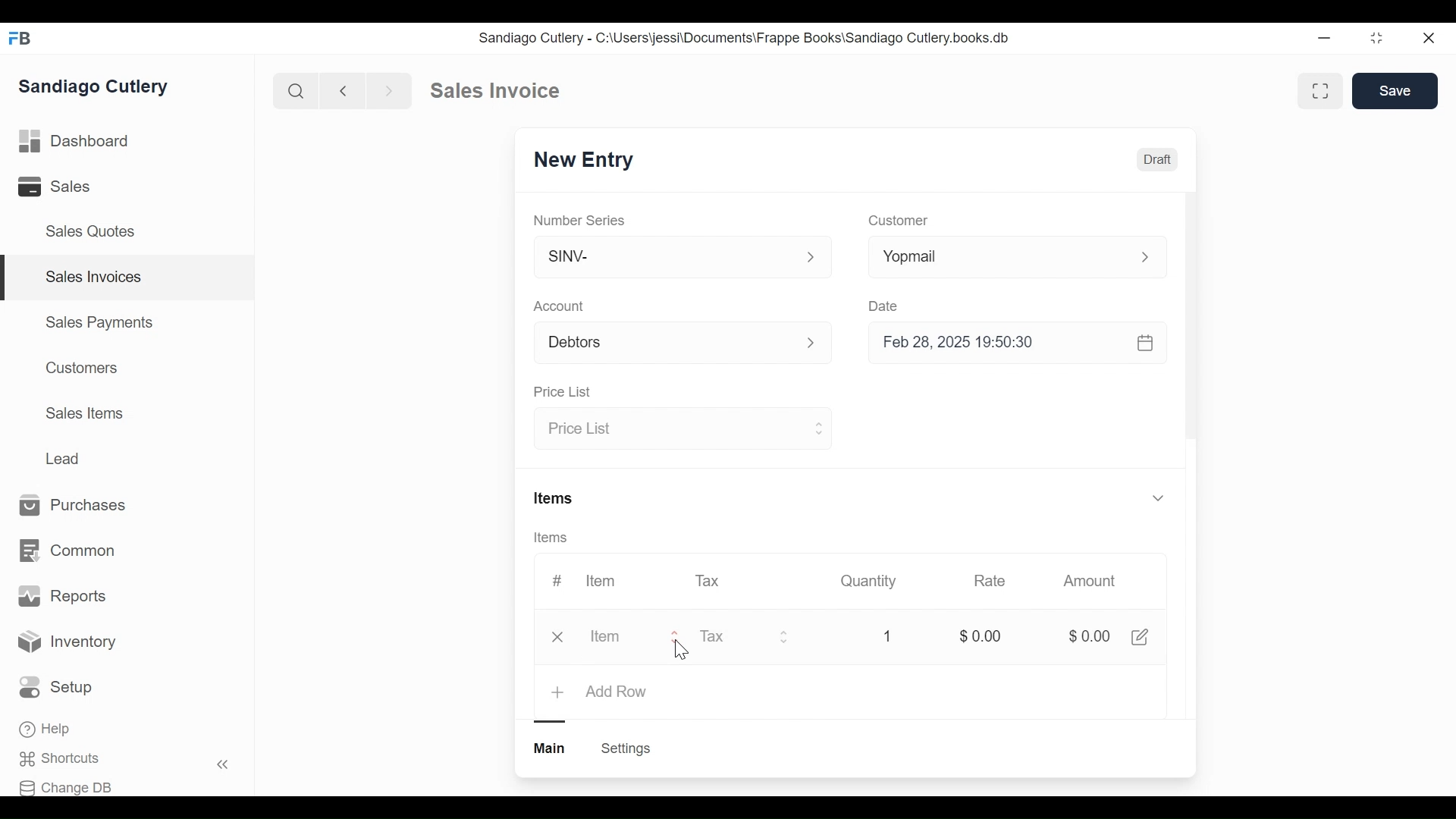 The width and height of the screenshot is (1456, 819). Describe the element at coordinates (602, 581) in the screenshot. I see `Item` at that location.